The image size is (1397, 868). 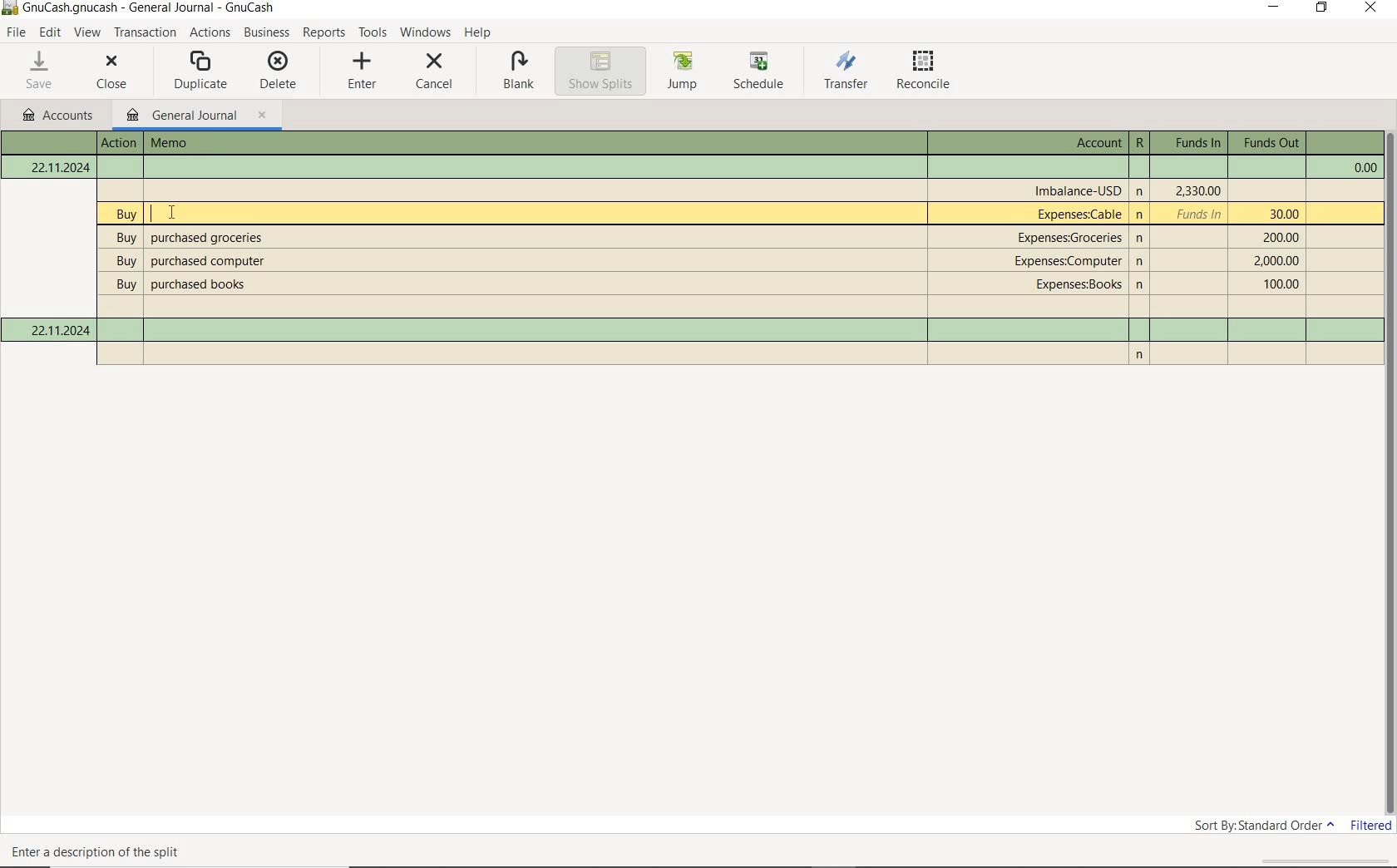 I want to click on cancel, so click(x=434, y=74).